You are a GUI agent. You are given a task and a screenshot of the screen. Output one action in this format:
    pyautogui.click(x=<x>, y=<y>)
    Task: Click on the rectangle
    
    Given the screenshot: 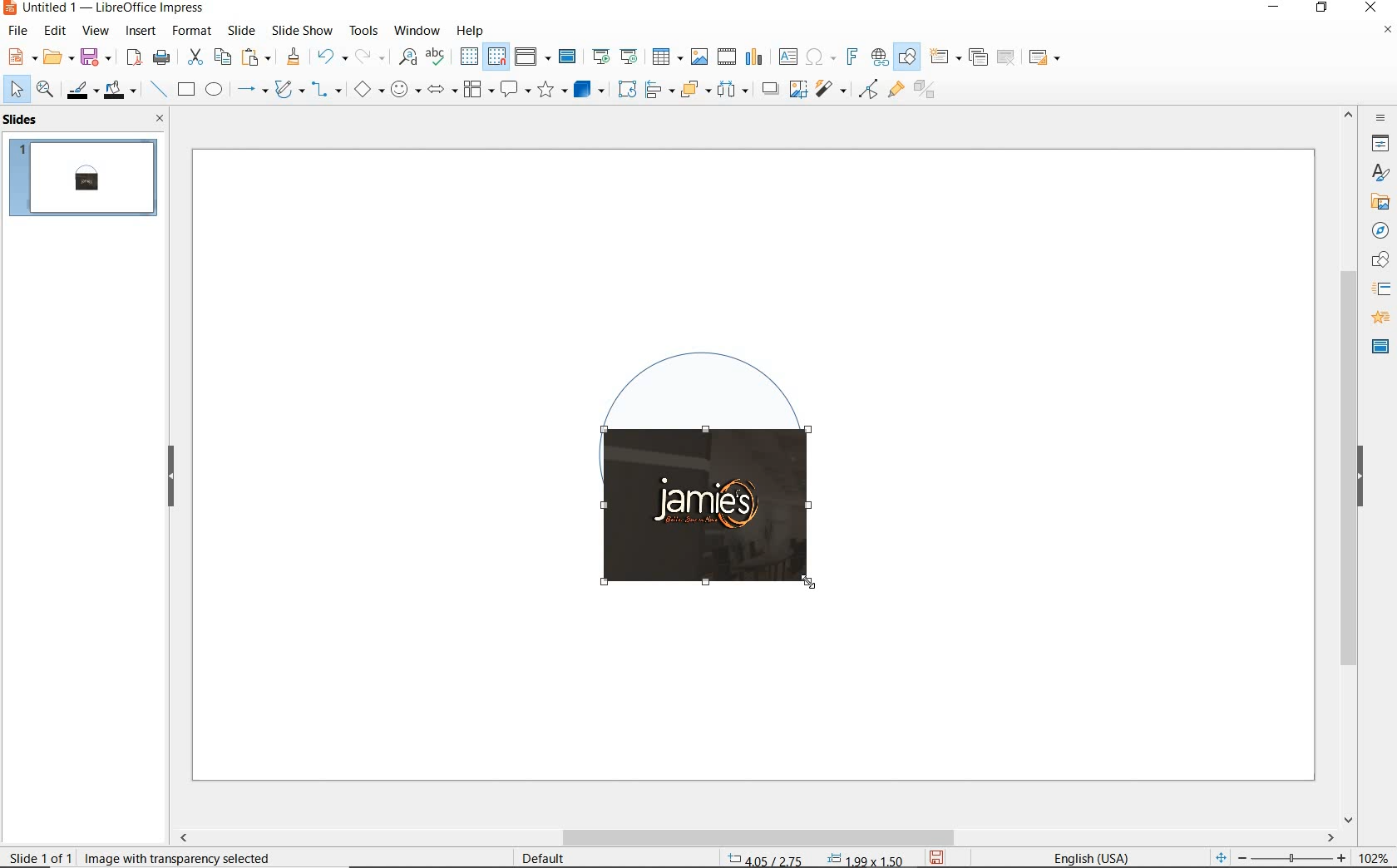 What is the action you would take?
    pyautogui.click(x=185, y=91)
    